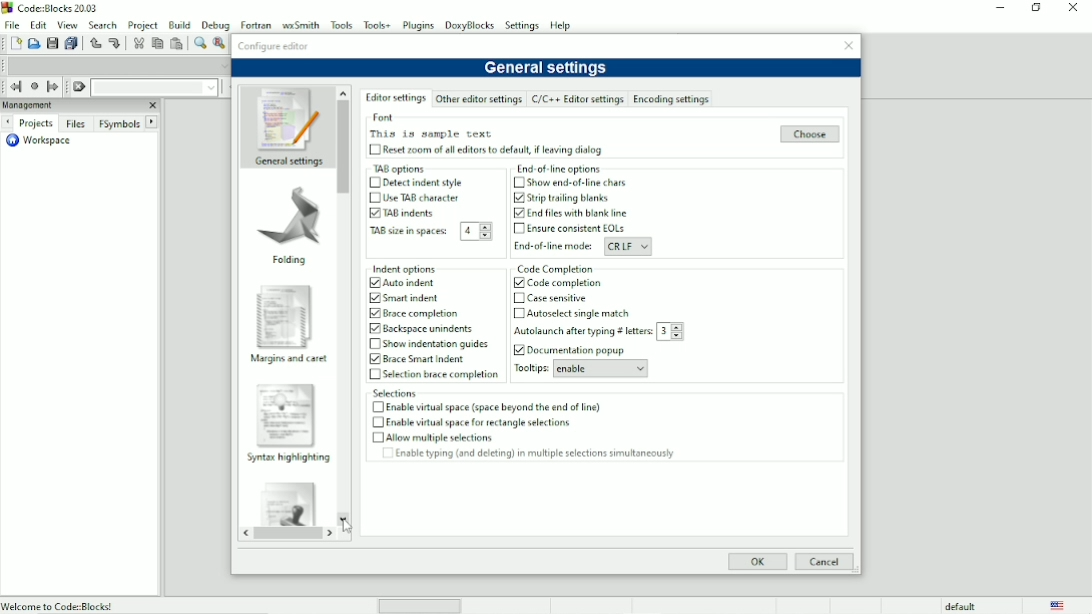 The height and width of the screenshot is (614, 1092). What do you see at coordinates (582, 350) in the screenshot?
I see `Documentation popup` at bounding box center [582, 350].